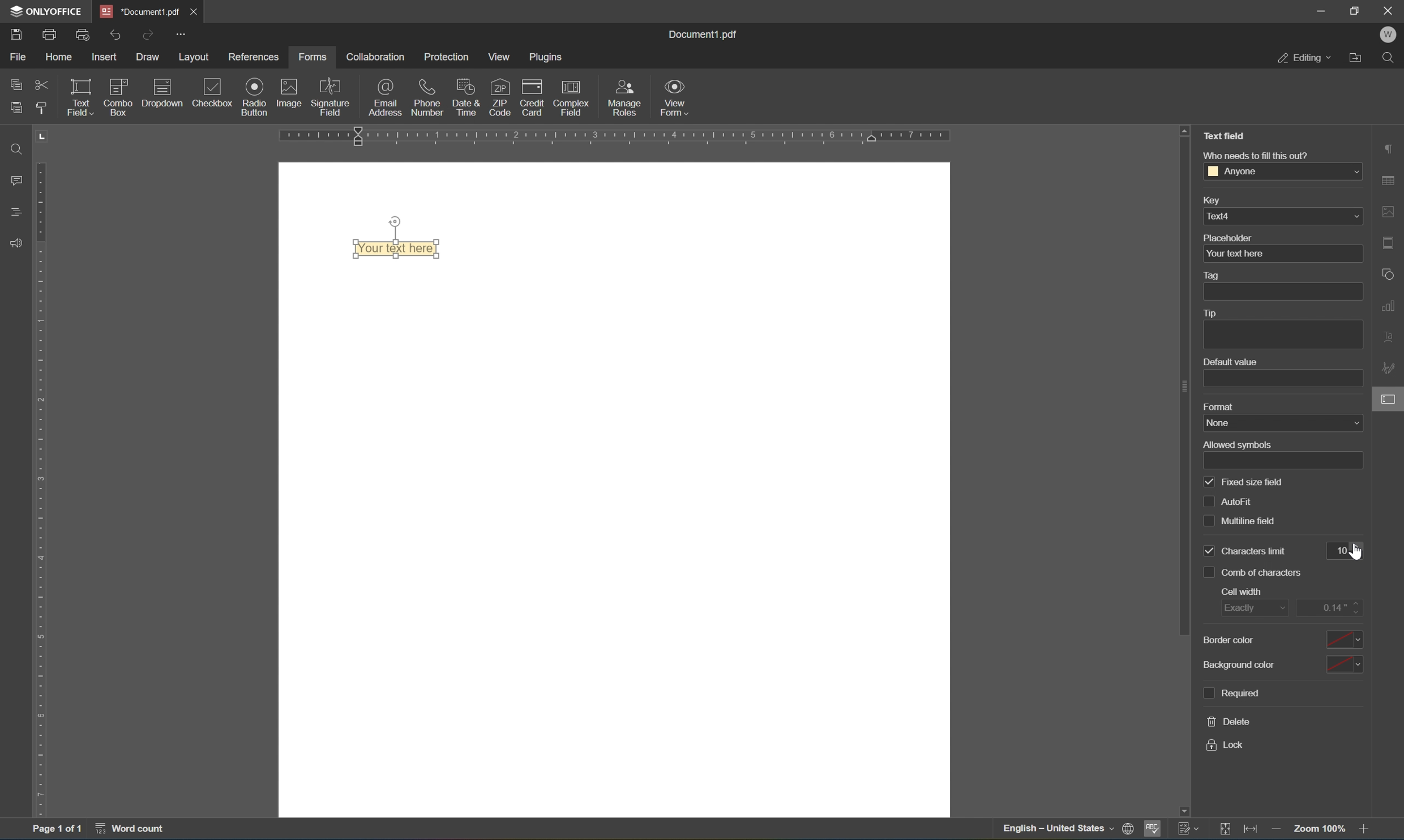  Describe the element at coordinates (288, 96) in the screenshot. I see `image` at that location.